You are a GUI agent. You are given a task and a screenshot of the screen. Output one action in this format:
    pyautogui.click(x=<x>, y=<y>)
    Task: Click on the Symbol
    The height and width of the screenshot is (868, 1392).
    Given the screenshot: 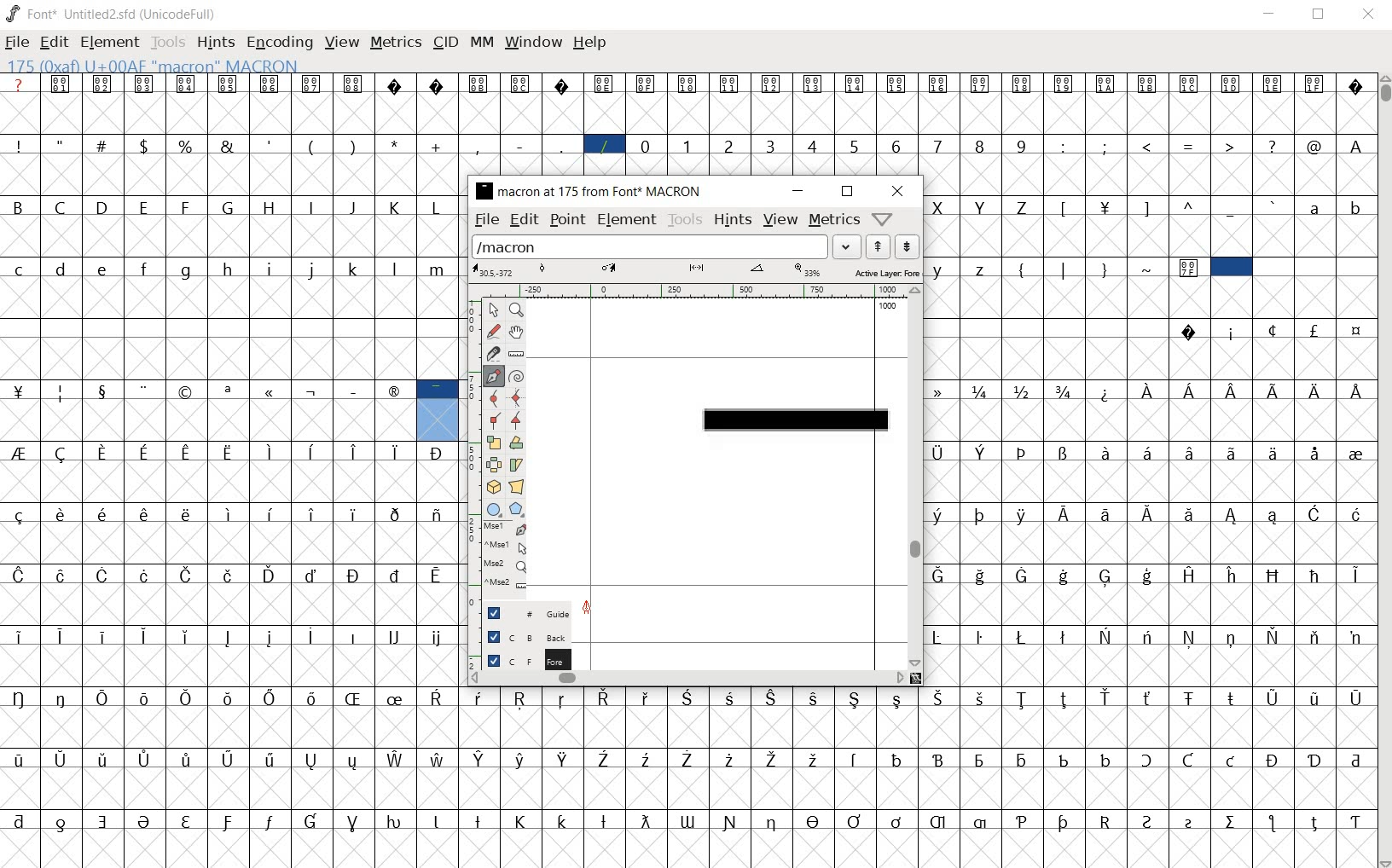 What is the action you would take?
    pyautogui.click(x=313, y=515)
    